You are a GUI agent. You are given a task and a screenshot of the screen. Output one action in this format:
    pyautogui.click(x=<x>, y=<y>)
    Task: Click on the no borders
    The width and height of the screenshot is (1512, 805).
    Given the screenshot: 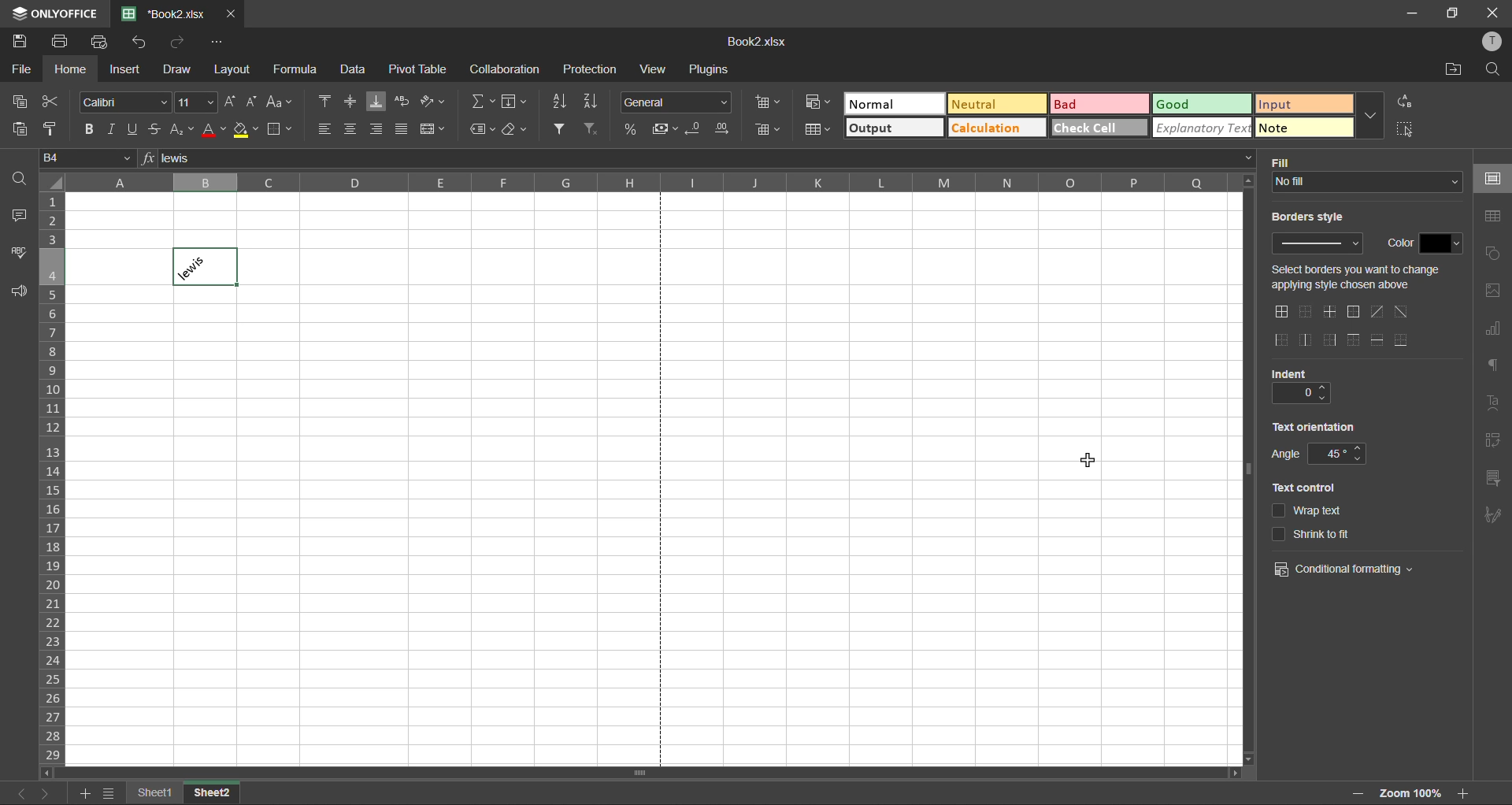 What is the action you would take?
    pyautogui.click(x=1304, y=310)
    